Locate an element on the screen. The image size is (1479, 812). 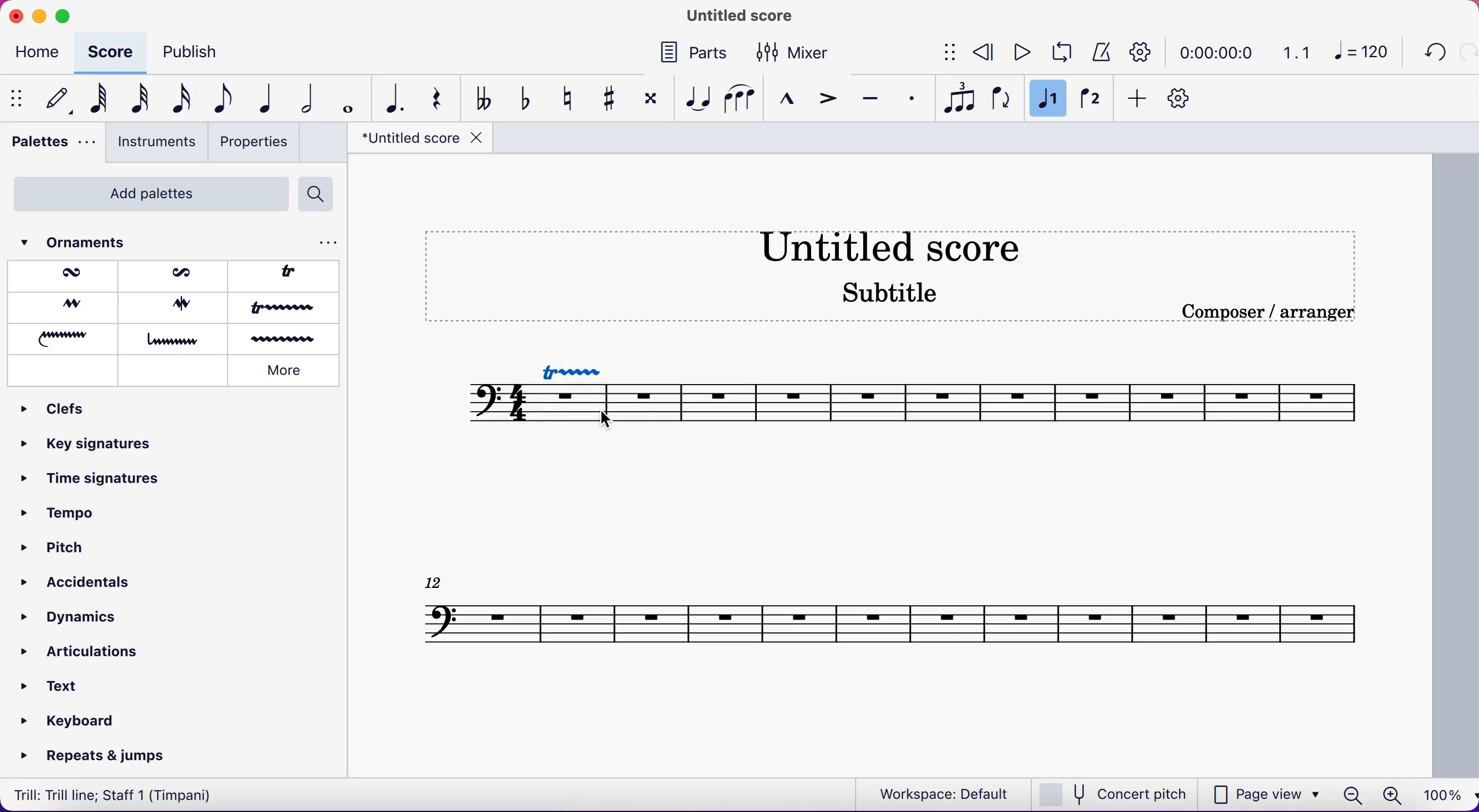
toggle flat is located at coordinates (523, 99).